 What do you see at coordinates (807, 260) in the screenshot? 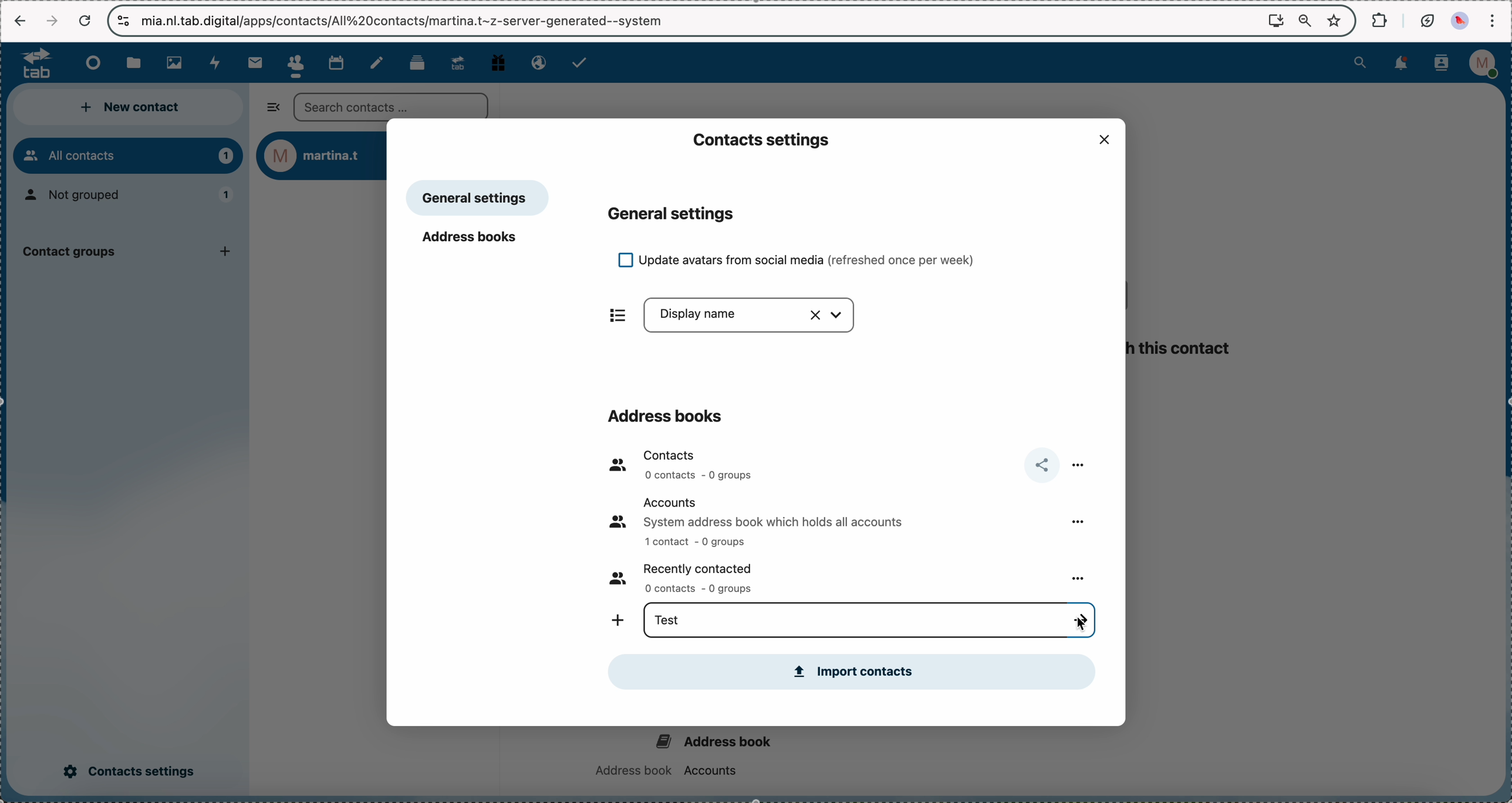
I see `update avatars` at bounding box center [807, 260].